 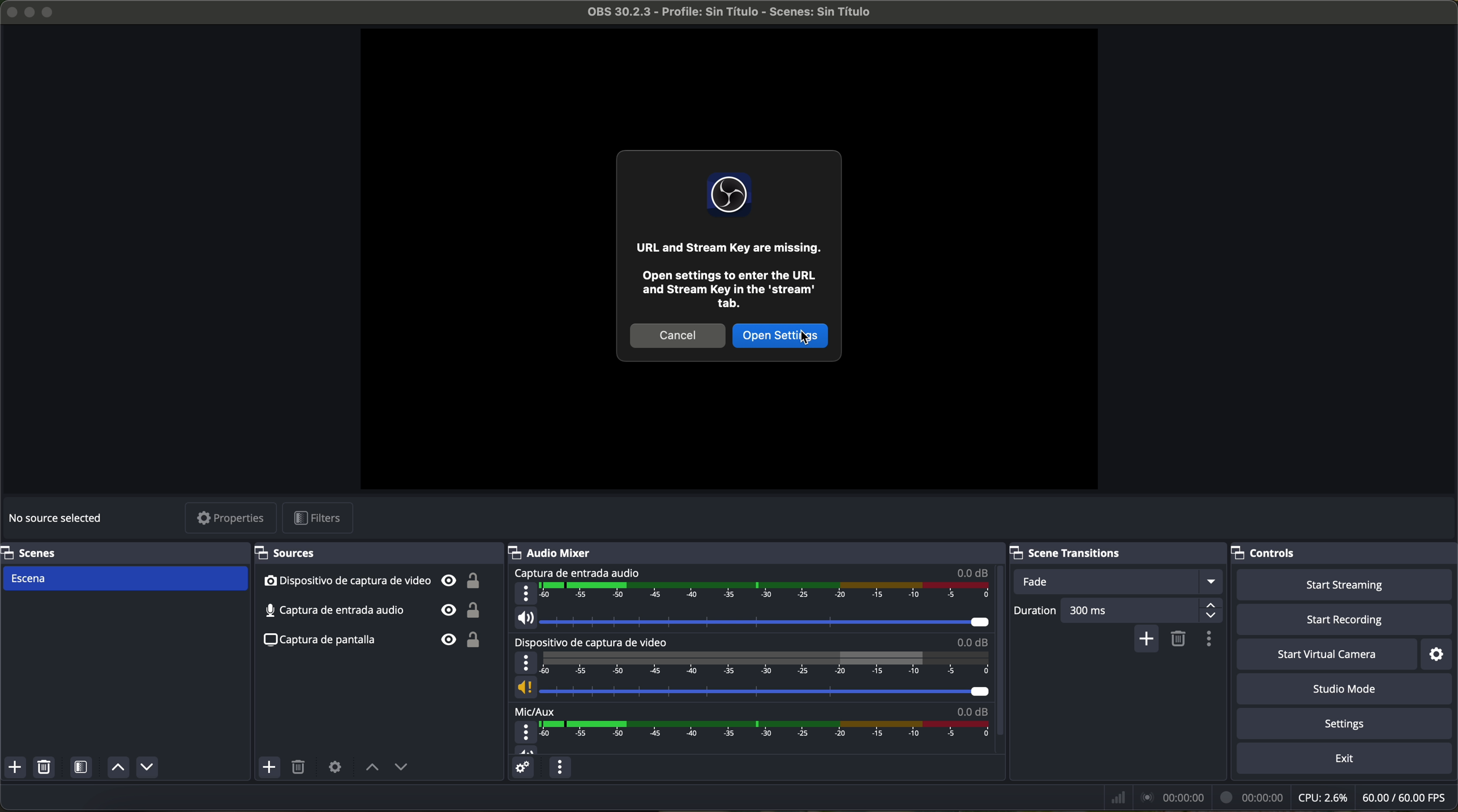 I want to click on no source selected, so click(x=59, y=516).